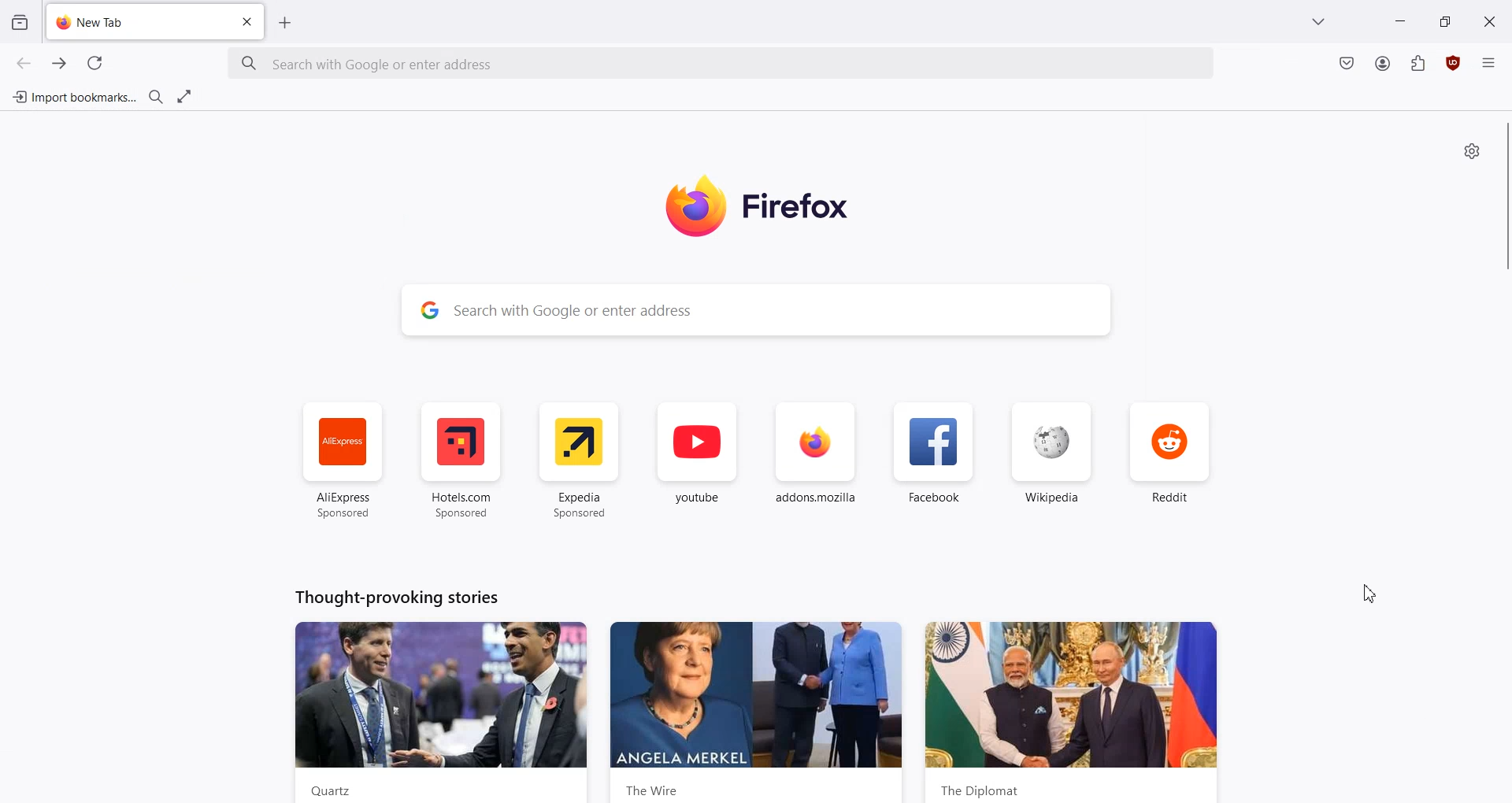 The height and width of the screenshot is (803, 1512). What do you see at coordinates (1074, 712) in the screenshot?
I see `News` at bounding box center [1074, 712].